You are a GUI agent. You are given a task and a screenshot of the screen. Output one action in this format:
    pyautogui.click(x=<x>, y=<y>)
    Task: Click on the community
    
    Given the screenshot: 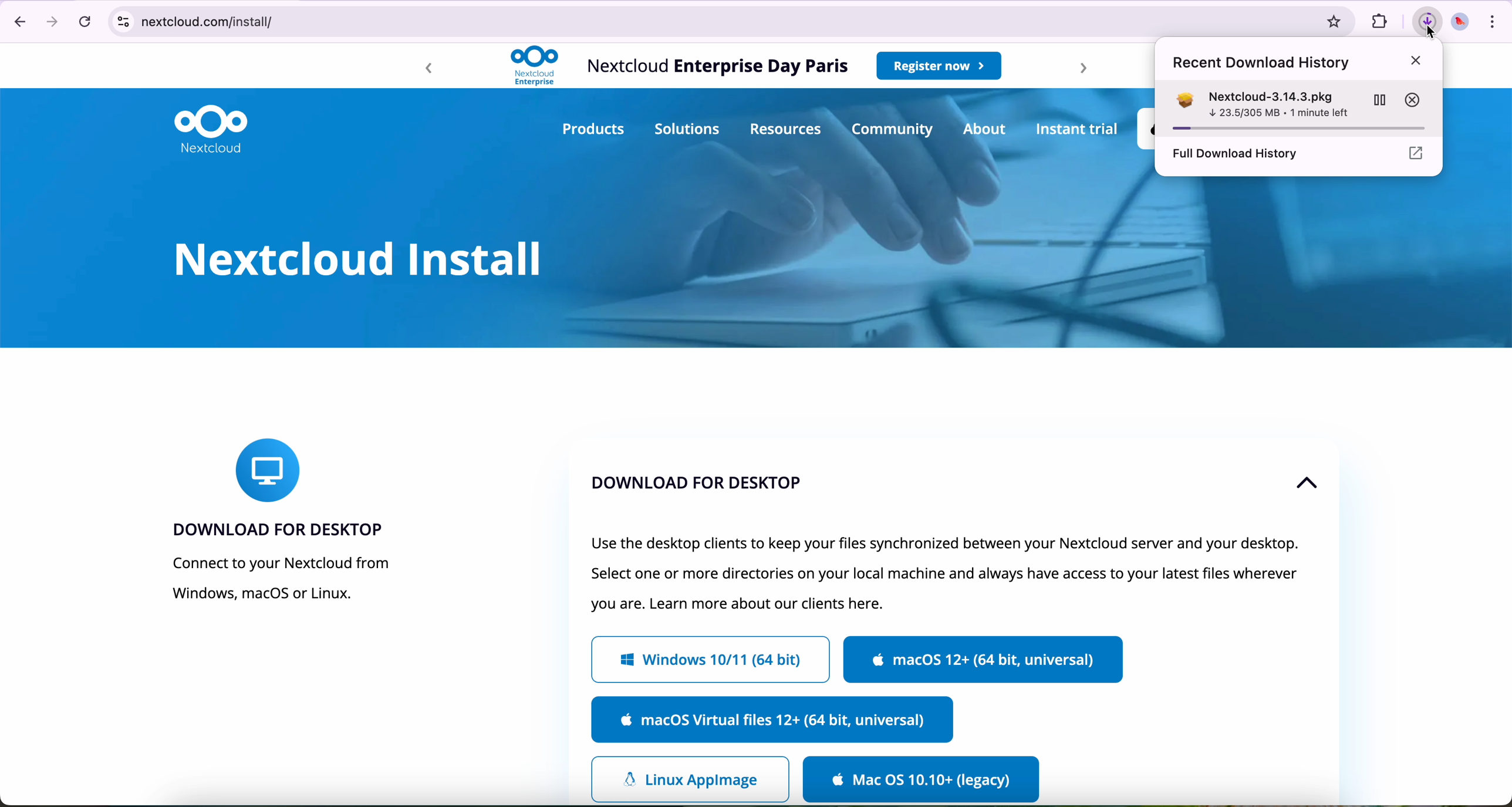 What is the action you would take?
    pyautogui.click(x=894, y=129)
    